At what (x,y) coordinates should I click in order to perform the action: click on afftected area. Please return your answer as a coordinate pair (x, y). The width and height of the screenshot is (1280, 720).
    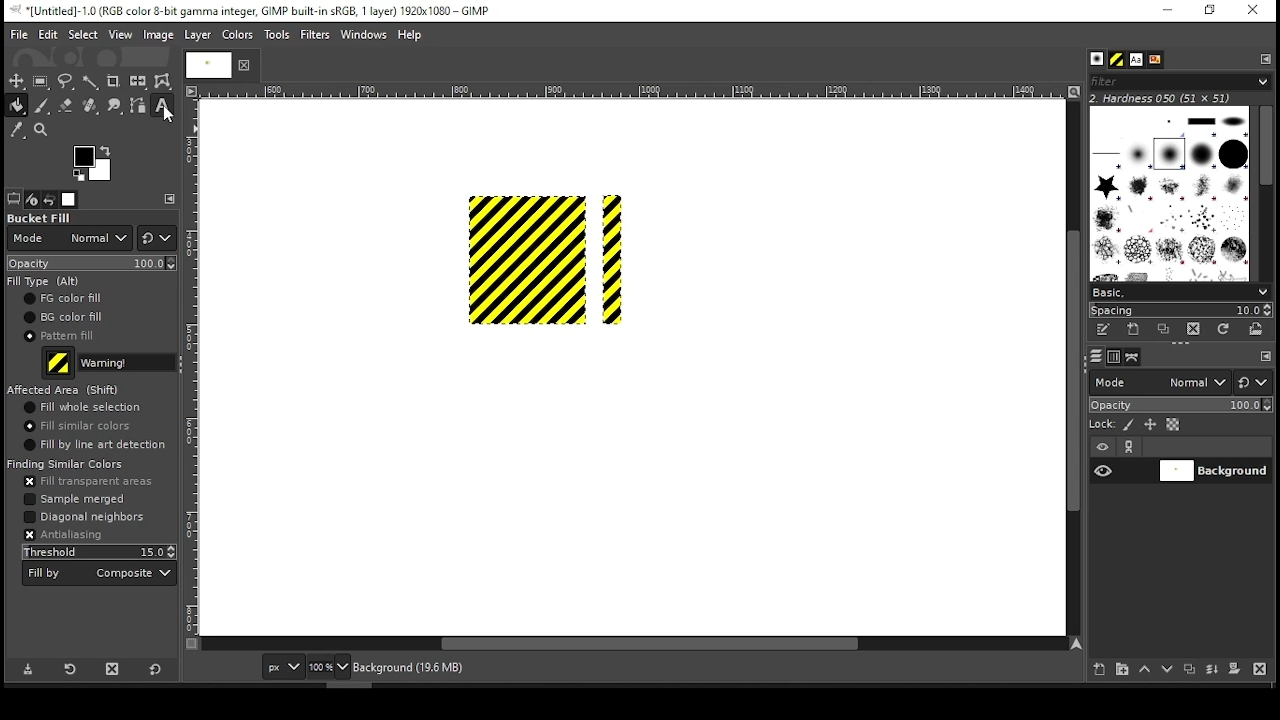
    Looking at the image, I should click on (66, 390).